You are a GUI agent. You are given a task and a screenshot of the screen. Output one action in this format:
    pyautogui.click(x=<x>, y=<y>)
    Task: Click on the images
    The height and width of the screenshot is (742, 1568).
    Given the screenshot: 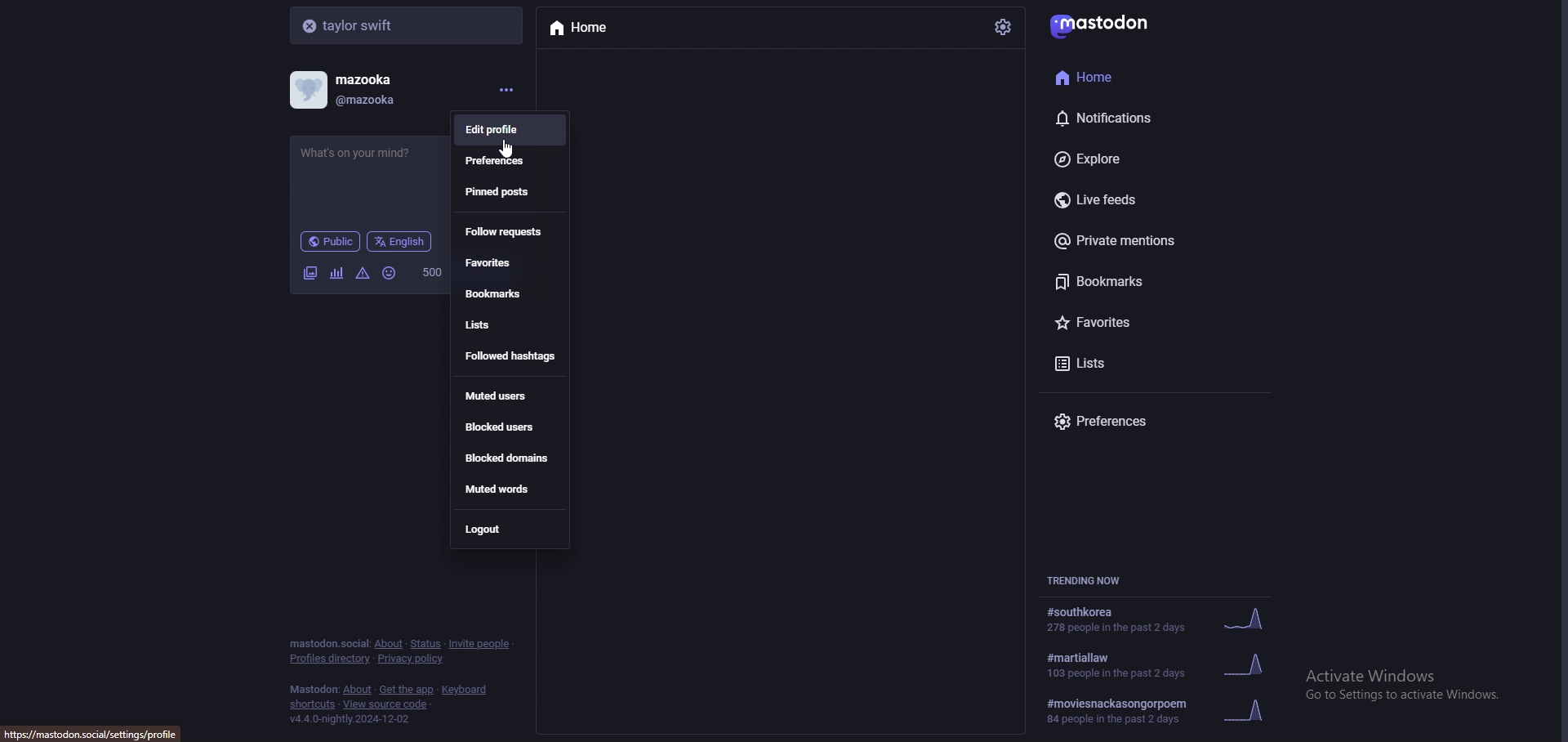 What is the action you would take?
    pyautogui.click(x=310, y=272)
    